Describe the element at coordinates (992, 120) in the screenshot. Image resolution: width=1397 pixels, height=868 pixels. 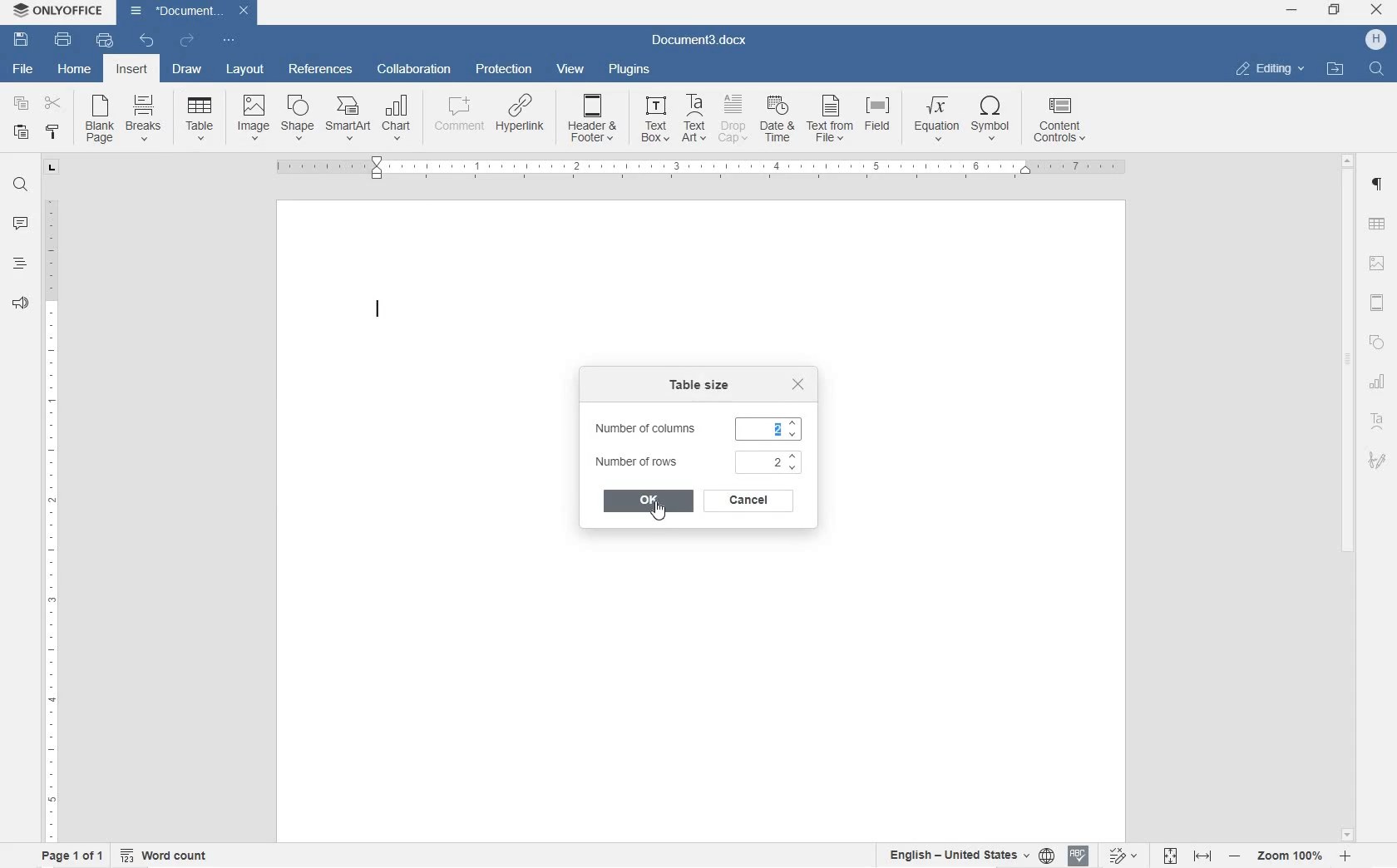
I see `symbol` at that location.